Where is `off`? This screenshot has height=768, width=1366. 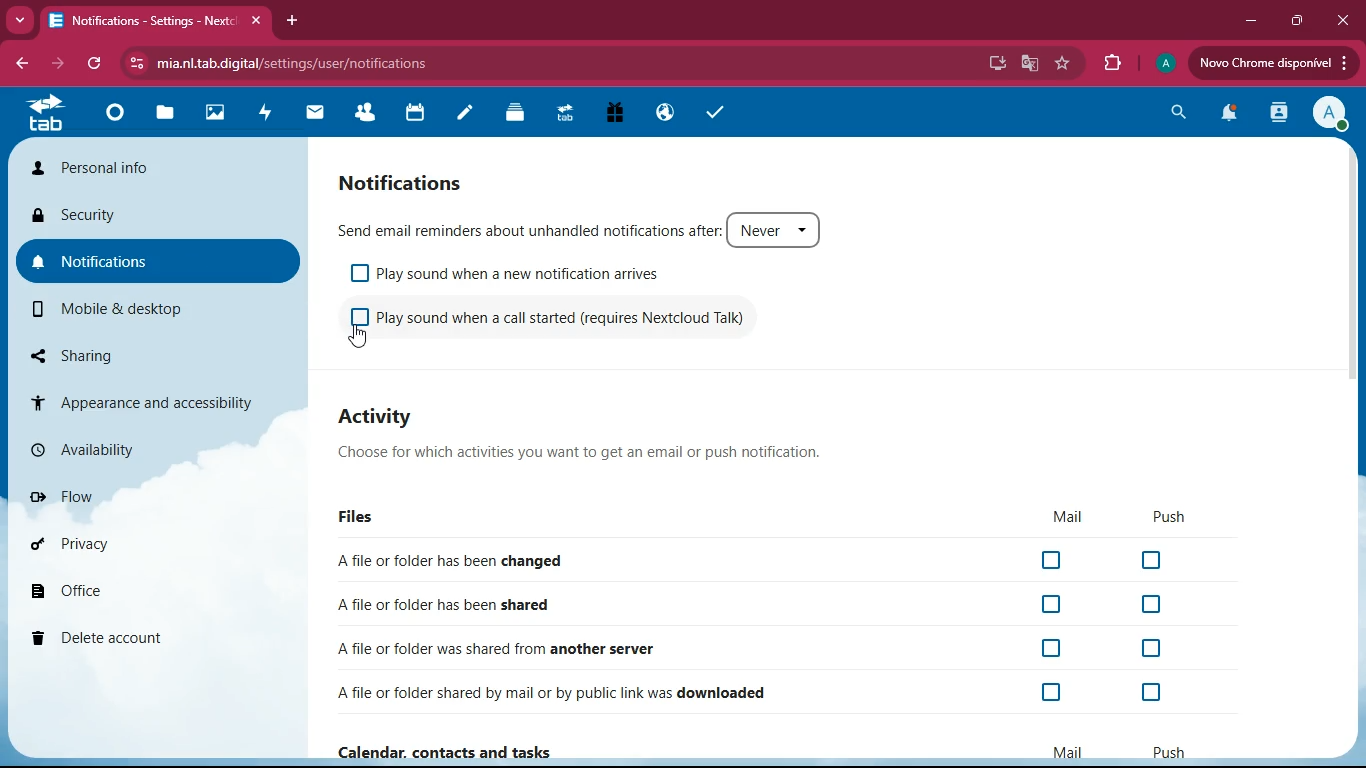 off is located at coordinates (1149, 693).